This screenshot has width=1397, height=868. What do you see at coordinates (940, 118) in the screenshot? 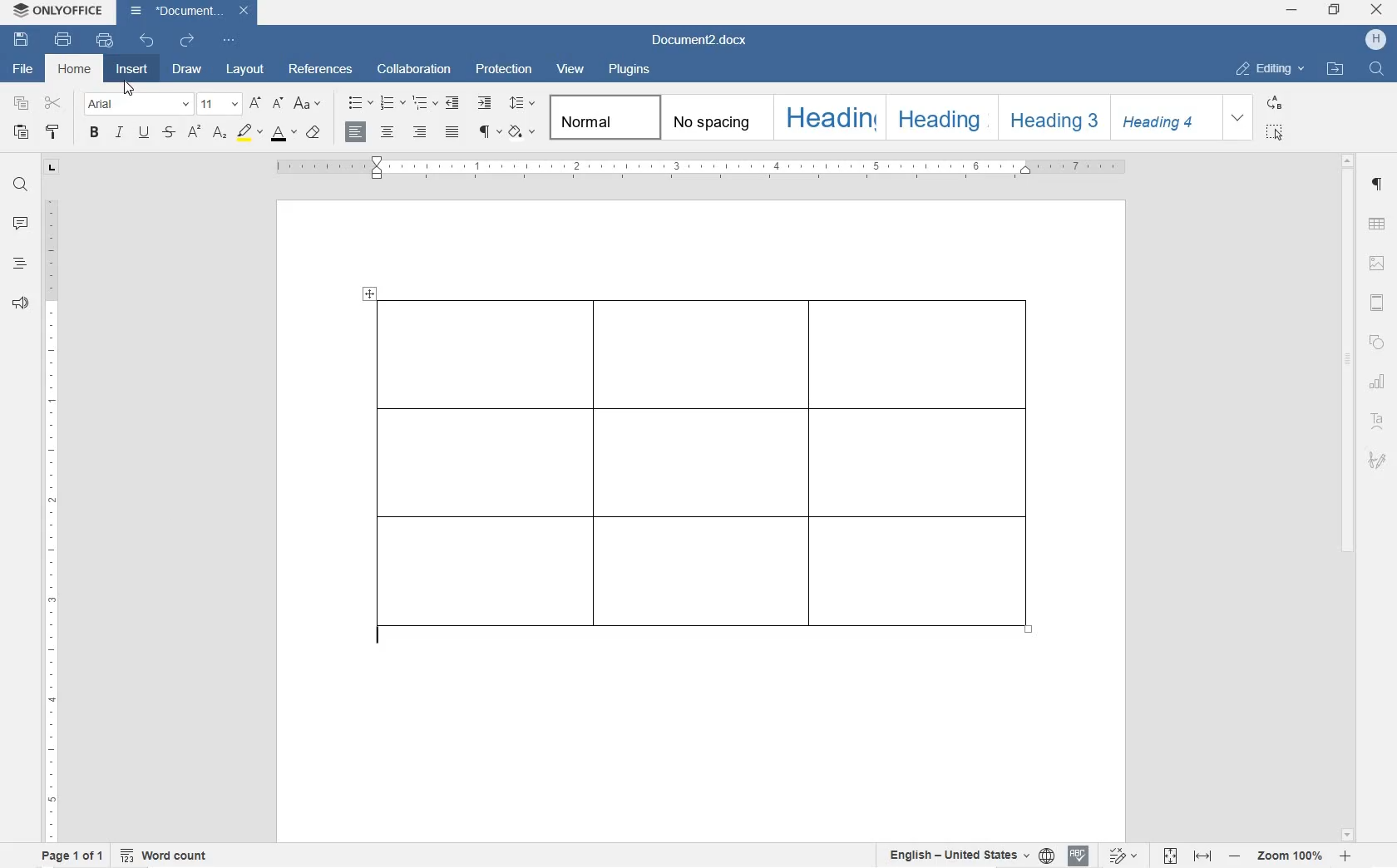
I see `HEADING 2` at bounding box center [940, 118].